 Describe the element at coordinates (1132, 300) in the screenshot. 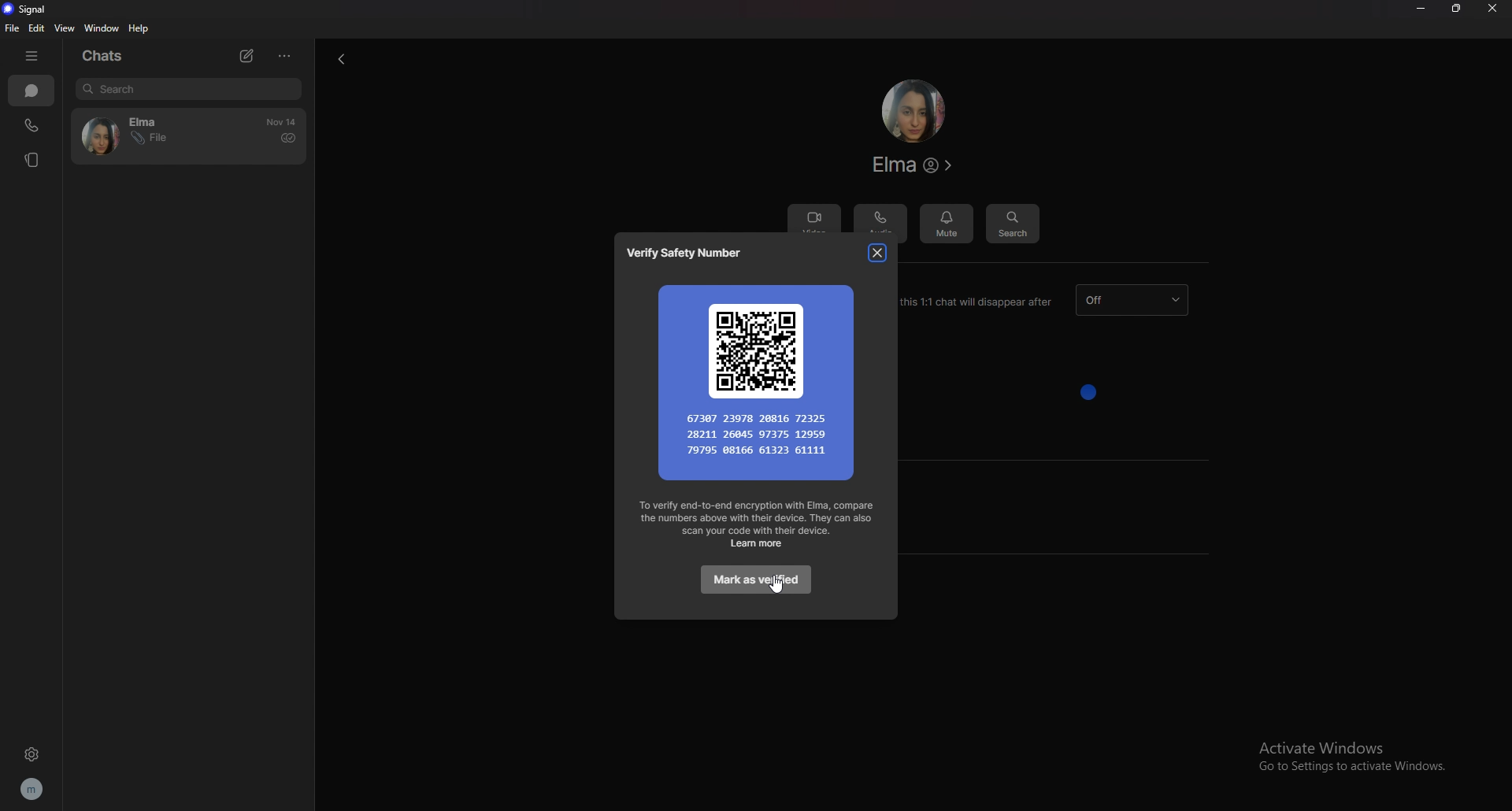

I see `dissapearing message` at that location.